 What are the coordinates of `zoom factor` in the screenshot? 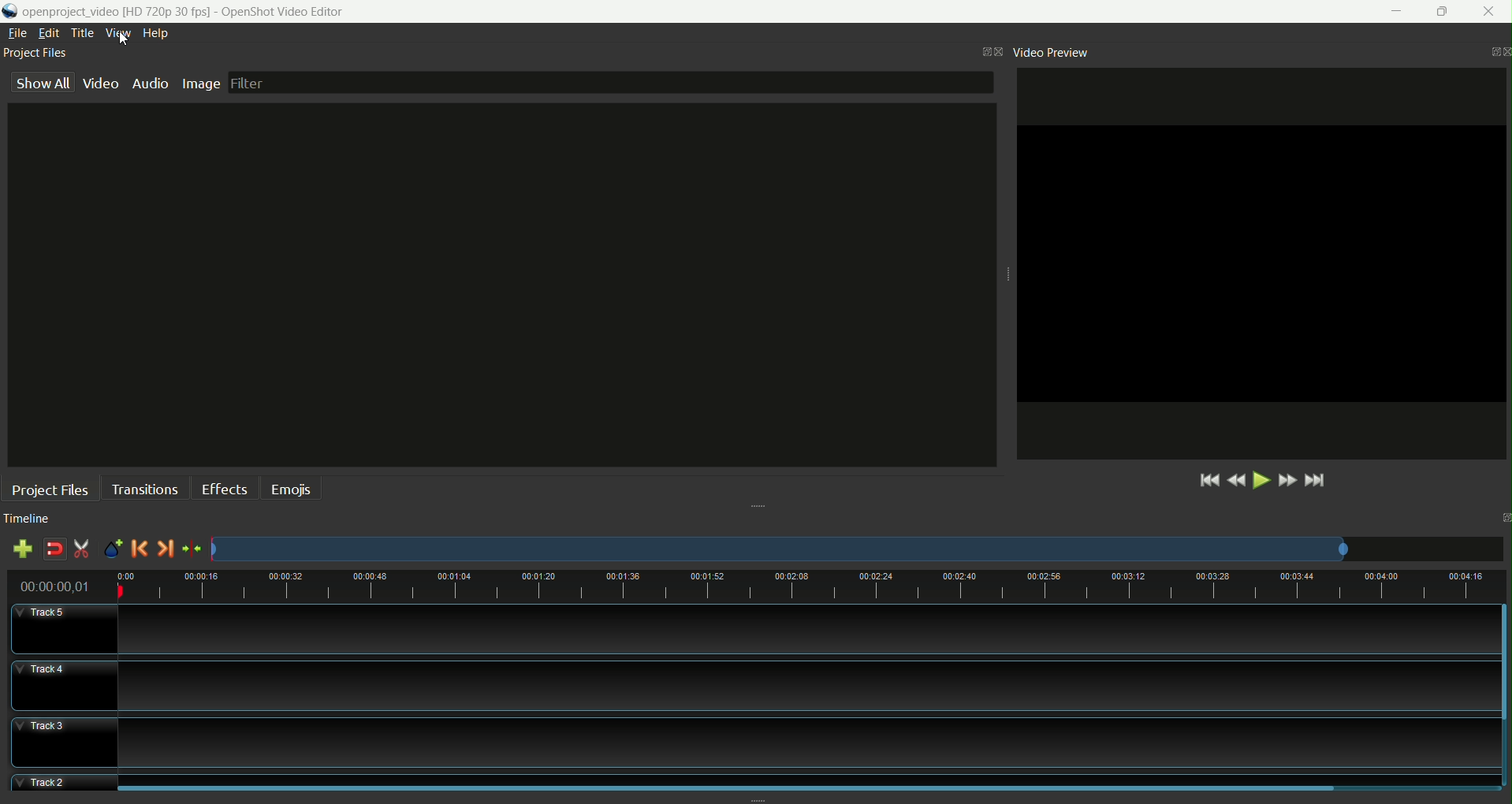 It's located at (858, 549).